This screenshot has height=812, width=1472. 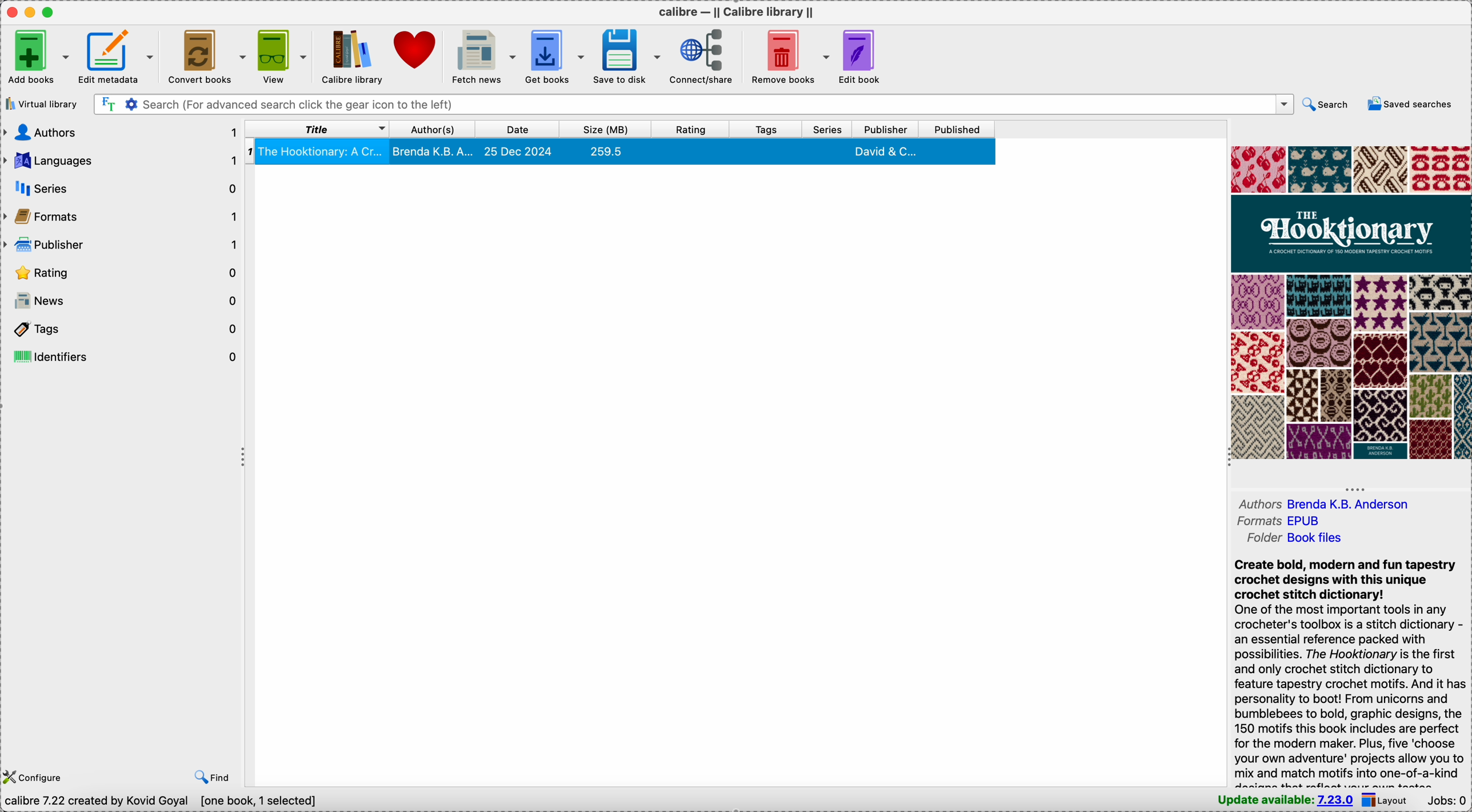 I want to click on configure, so click(x=37, y=776).